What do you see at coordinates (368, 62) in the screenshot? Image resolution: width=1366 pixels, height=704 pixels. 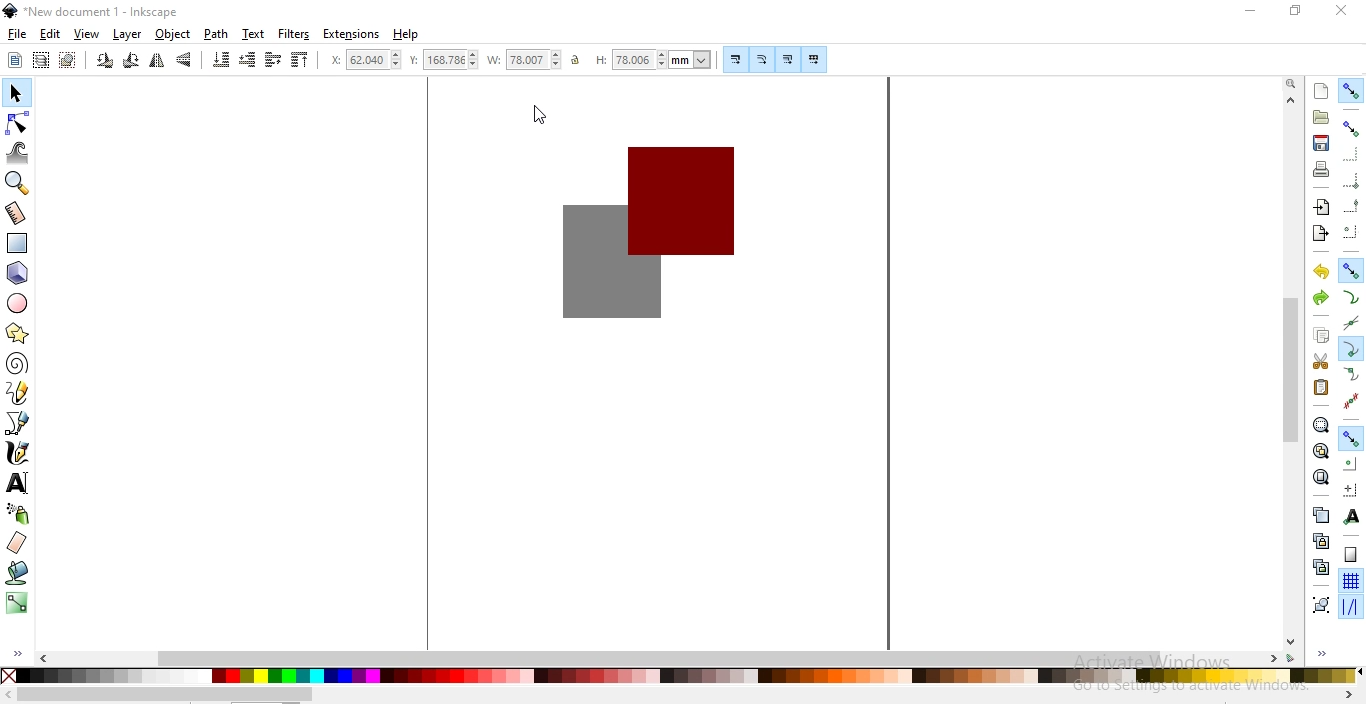 I see `horizontal coordinate of selection` at bounding box center [368, 62].